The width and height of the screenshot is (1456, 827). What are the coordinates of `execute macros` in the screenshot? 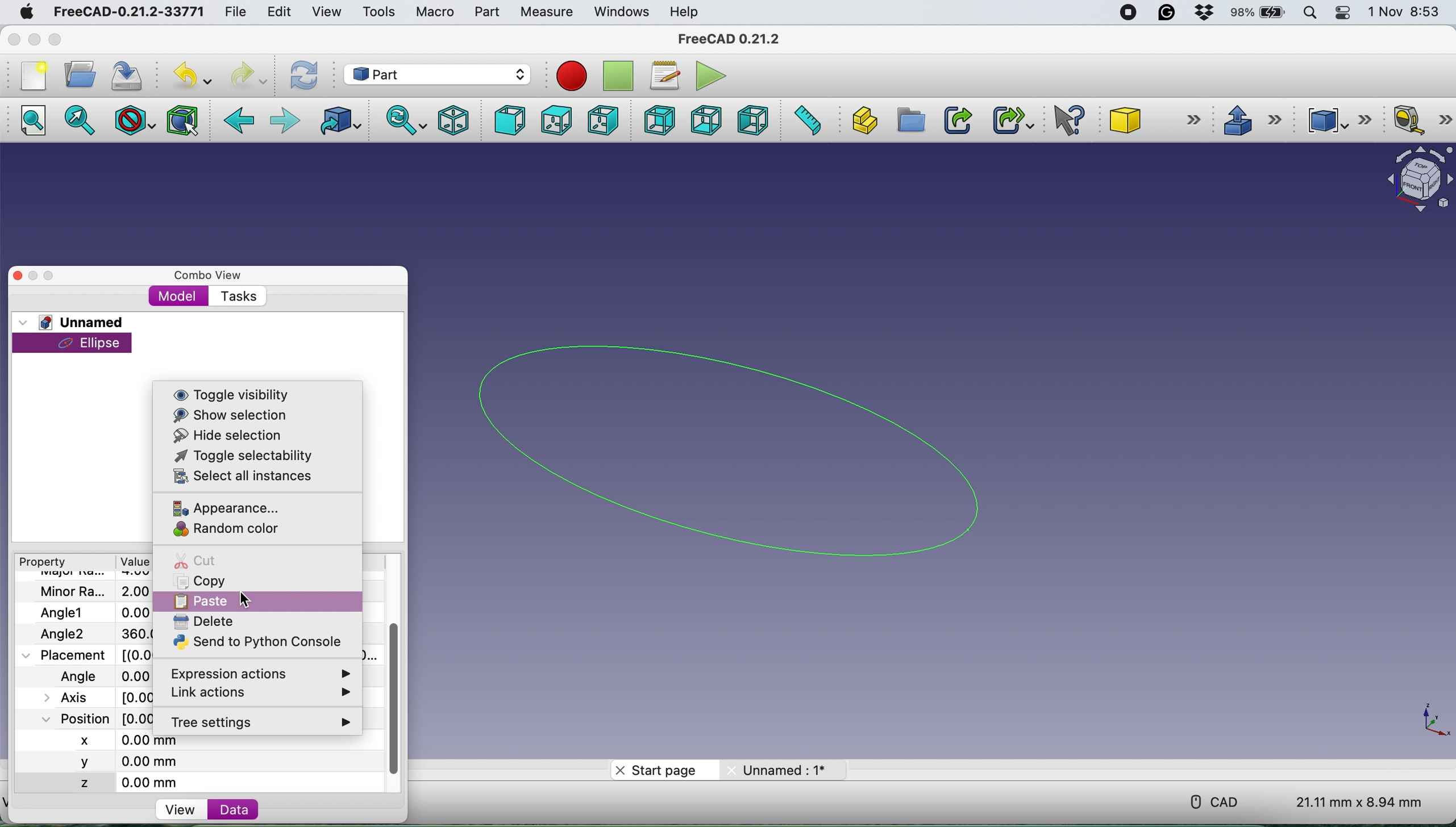 It's located at (708, 76).